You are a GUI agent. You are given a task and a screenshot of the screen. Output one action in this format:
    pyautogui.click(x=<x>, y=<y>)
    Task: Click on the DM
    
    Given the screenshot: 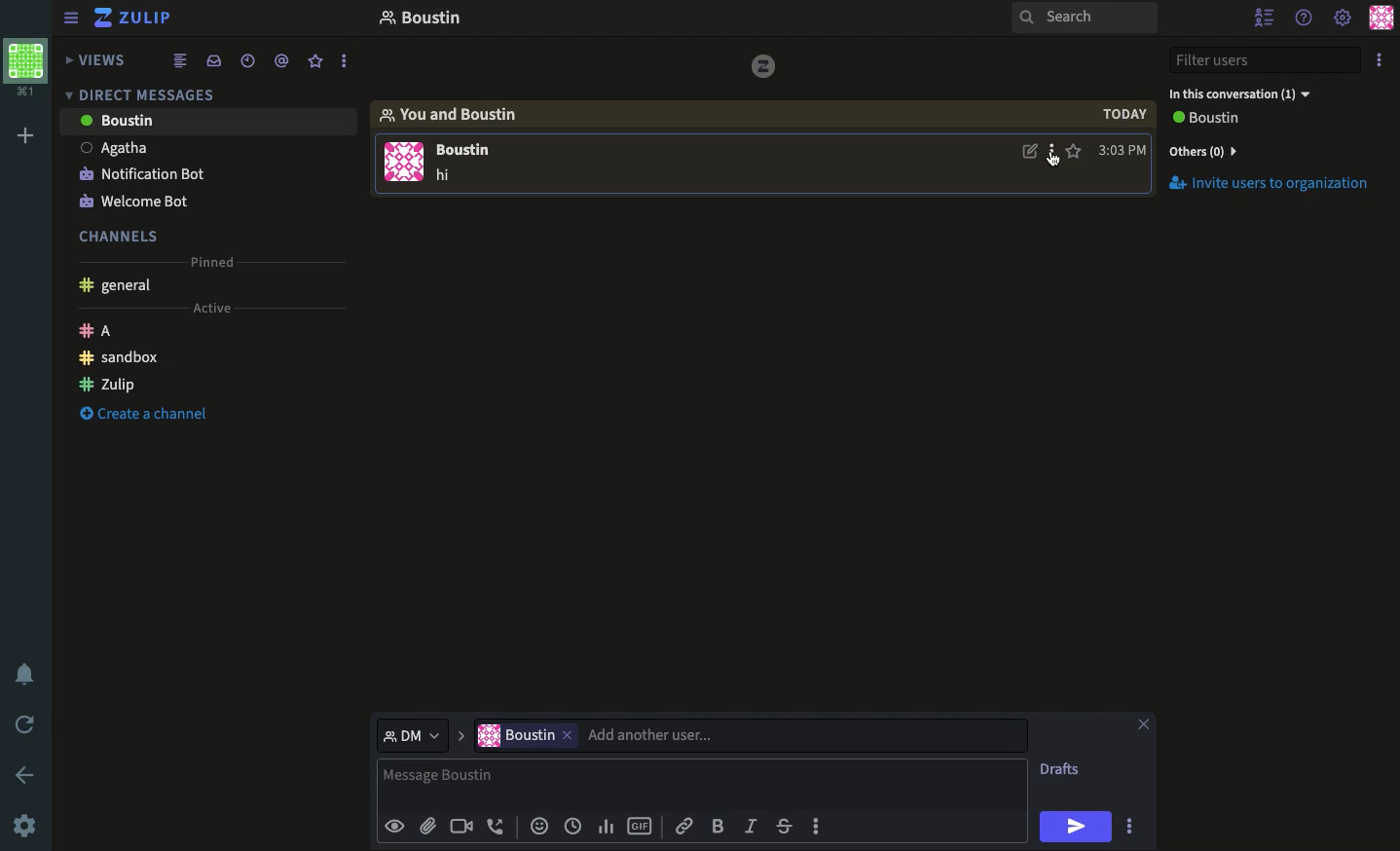 What is the action you would take?
    pyautogui.click(x=422, y=734)
    